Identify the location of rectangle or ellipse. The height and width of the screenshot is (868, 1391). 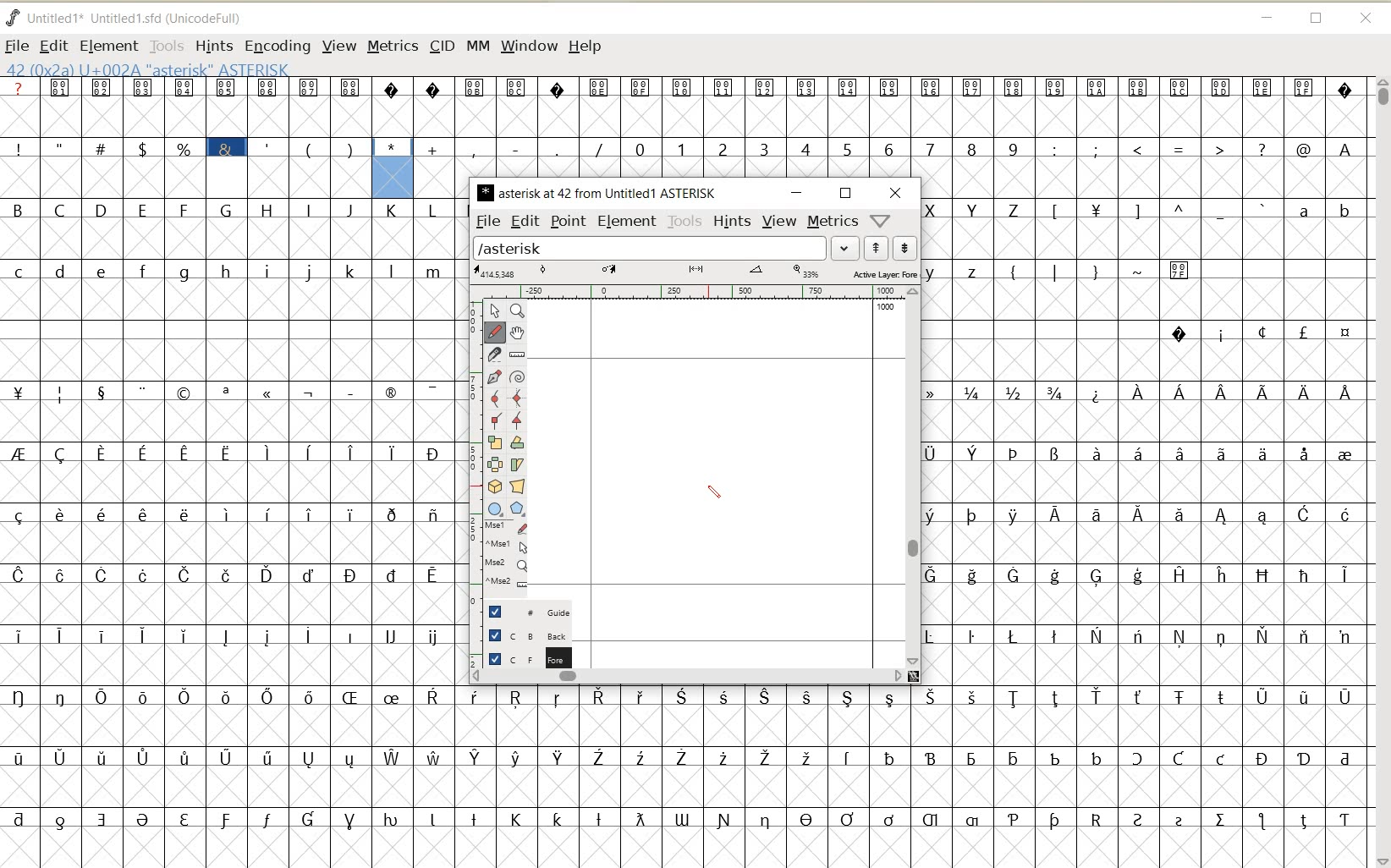
(493, 509).